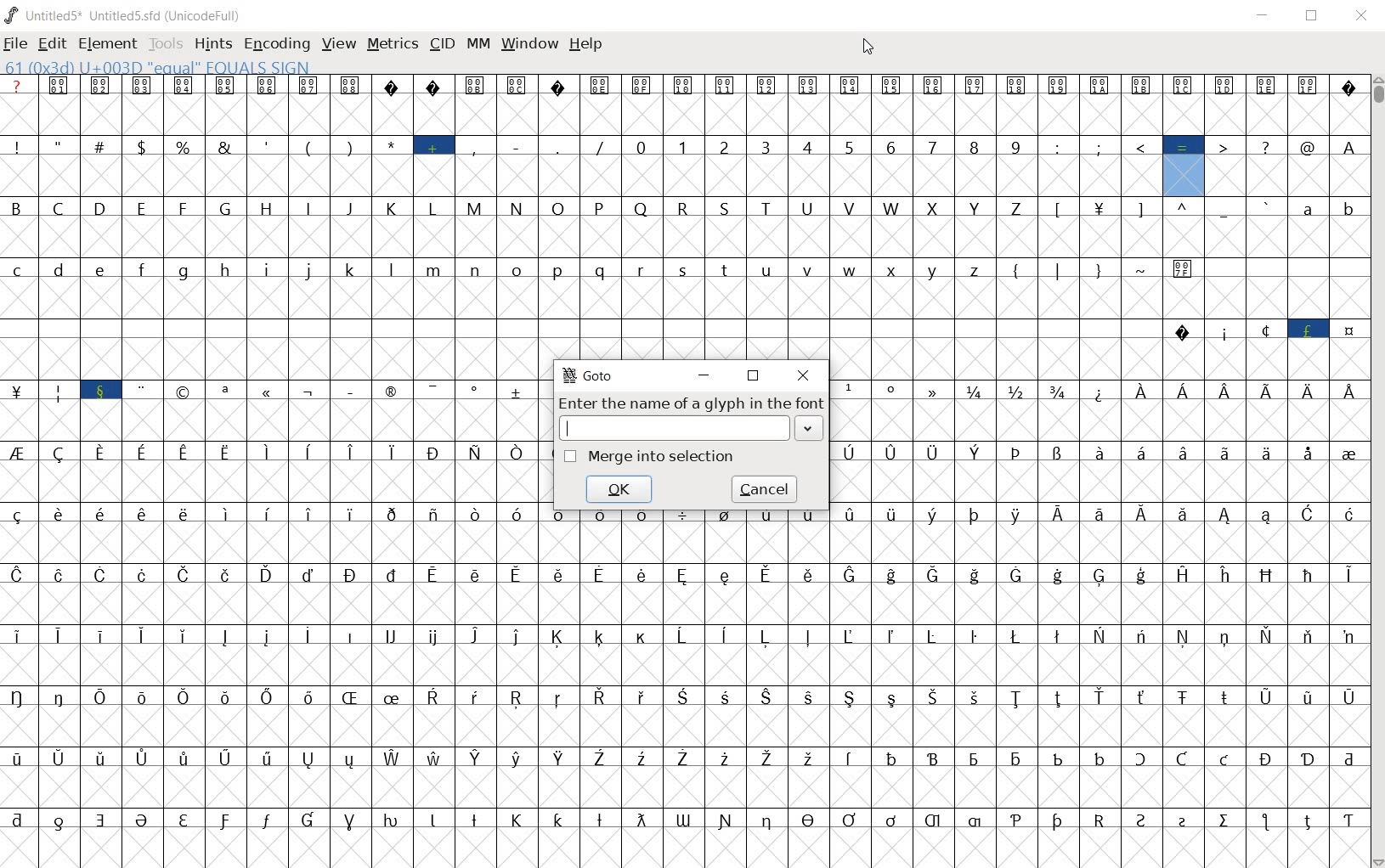 Image resolution: width=1385 pixels, height=868 pixels. I want to click on element, so click(107, 44).